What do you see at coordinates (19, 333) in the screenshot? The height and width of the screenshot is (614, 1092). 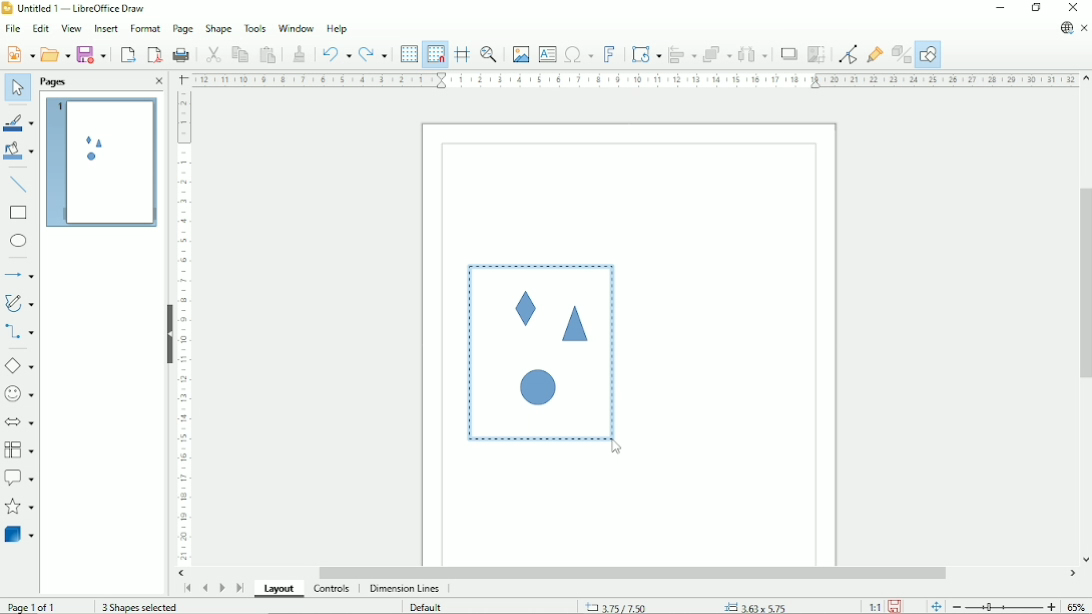 I see `Connectors` at bounding box center [19, 333].